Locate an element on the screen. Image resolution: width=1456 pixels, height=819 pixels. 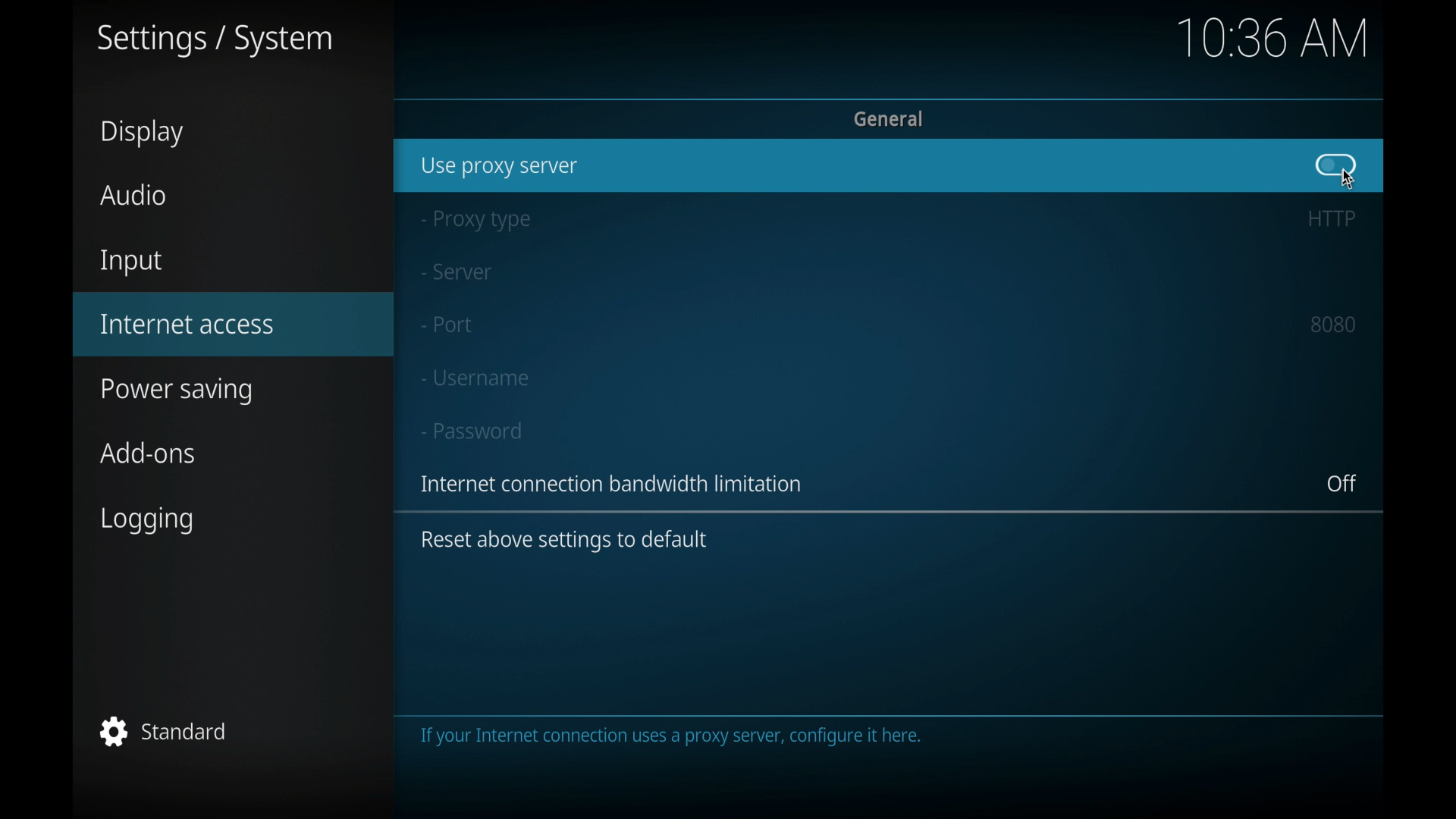
8080 is located at coordinates (1334, 324).